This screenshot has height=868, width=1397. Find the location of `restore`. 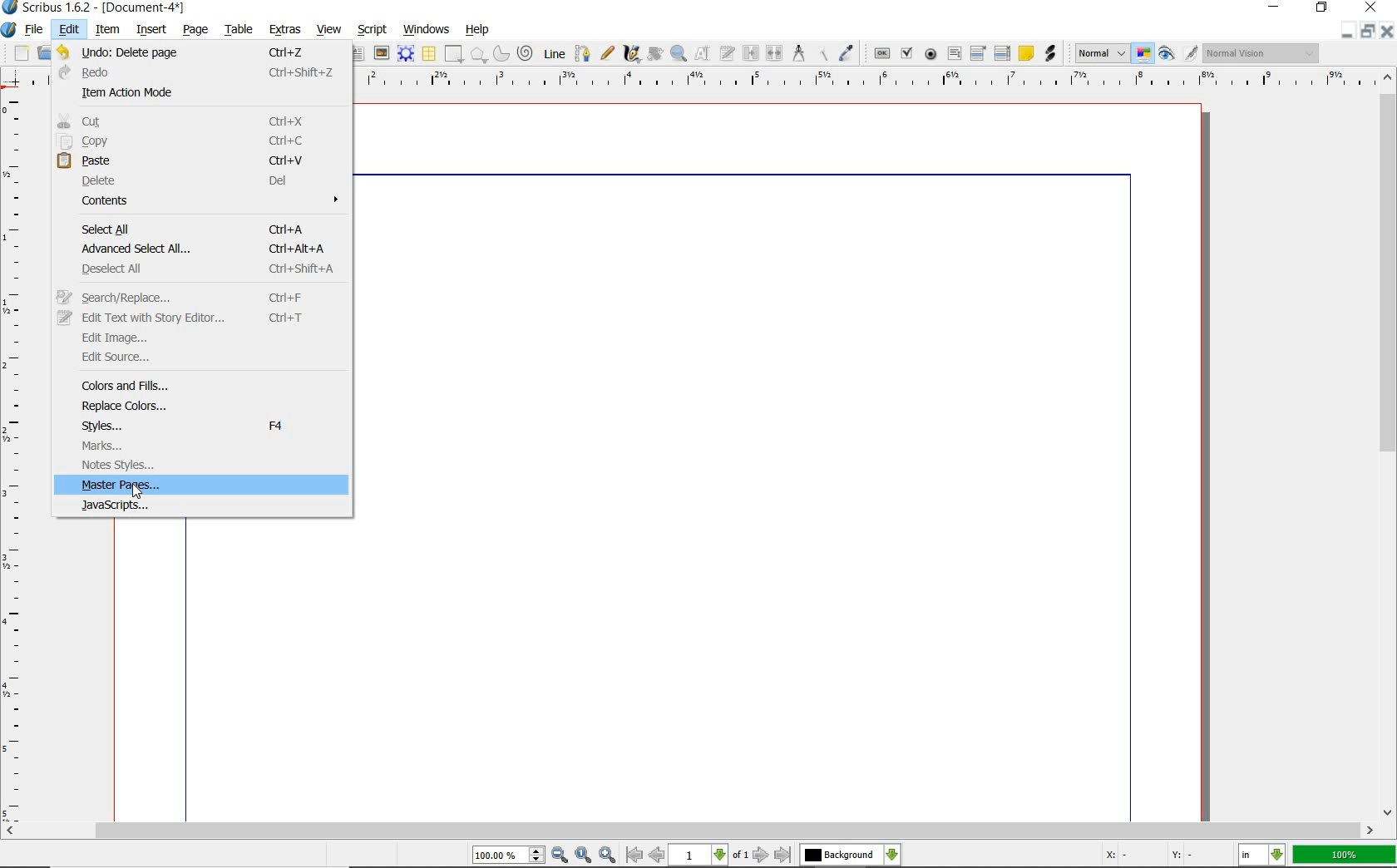

restore is located at coordinates (1370, 32).